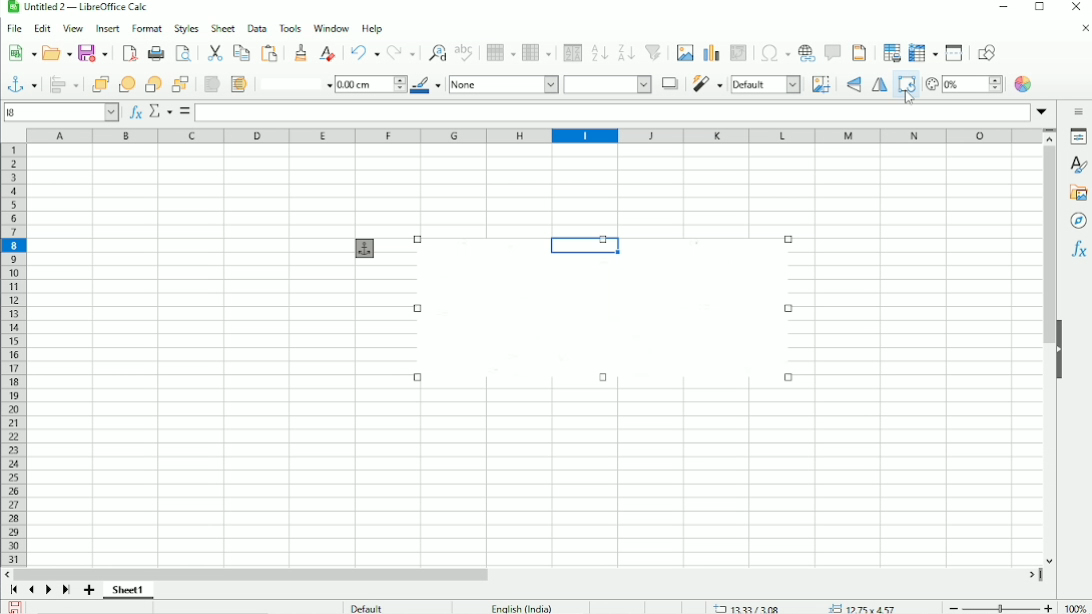 Image resolution: width=1092 pixels, height=614 pixels. What do you see at coordinates (401, 53) in the screenshot?
I see `Redo` at bounding box center [401, 53].